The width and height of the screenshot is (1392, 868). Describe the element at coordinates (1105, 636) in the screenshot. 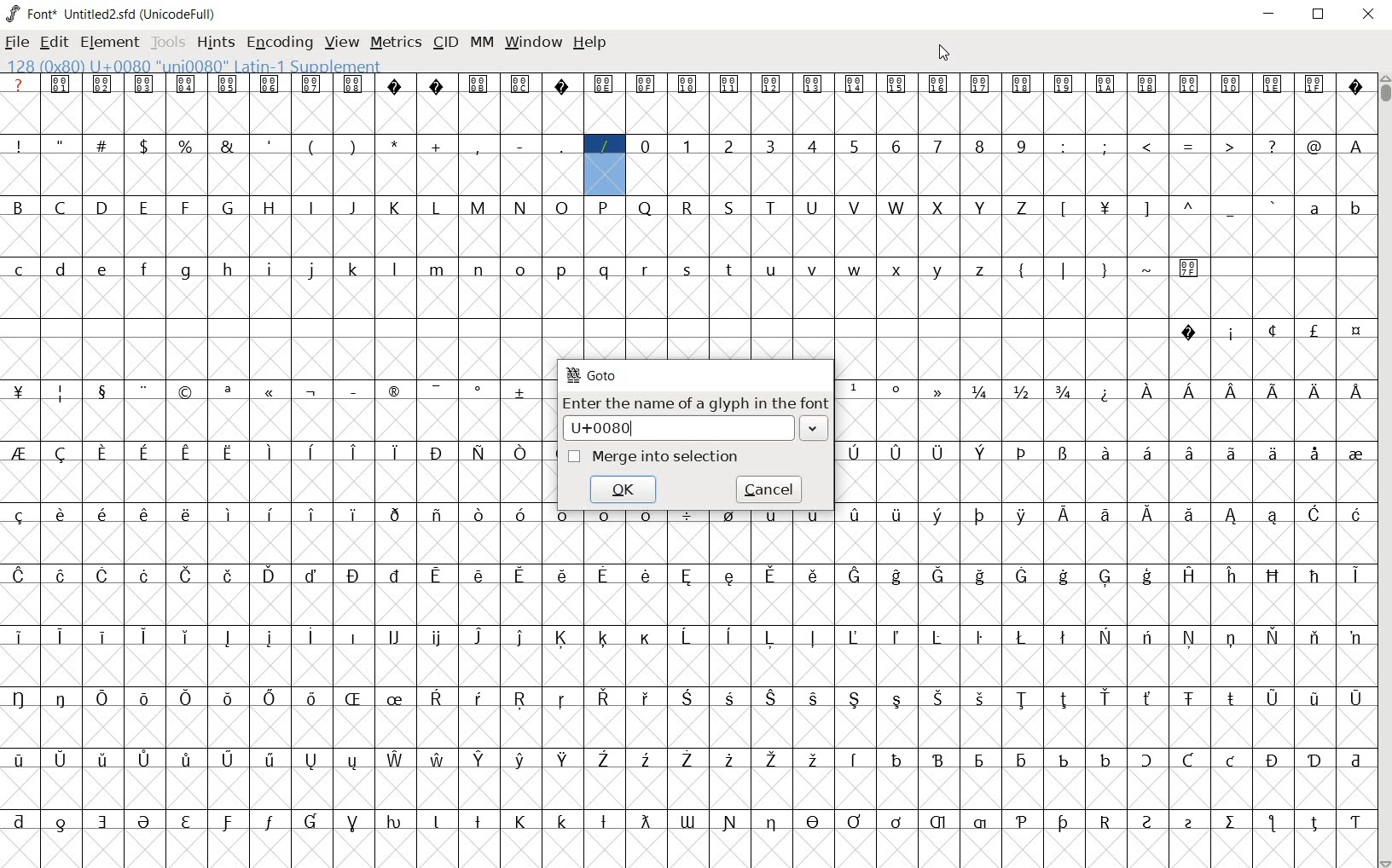

I see `glyph` at that location.